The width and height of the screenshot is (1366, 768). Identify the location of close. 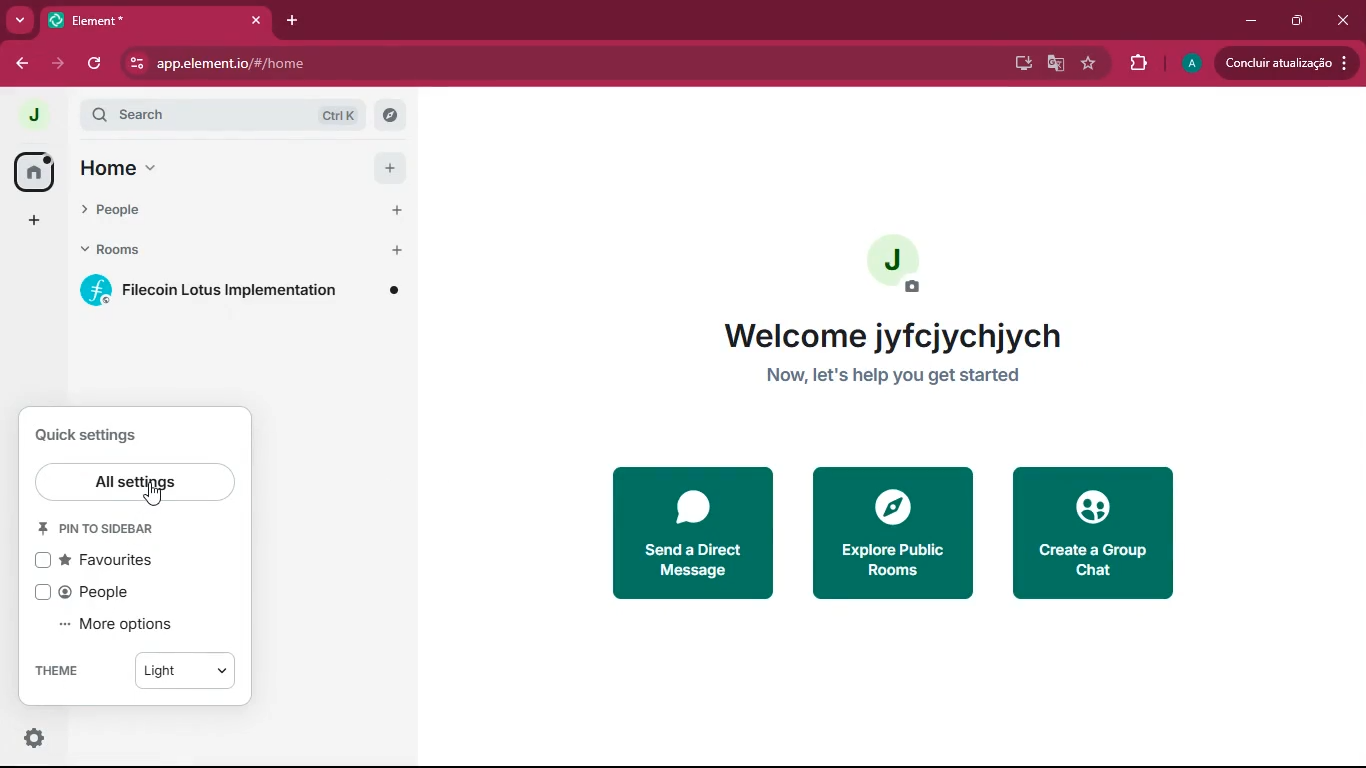
(1343, 20).